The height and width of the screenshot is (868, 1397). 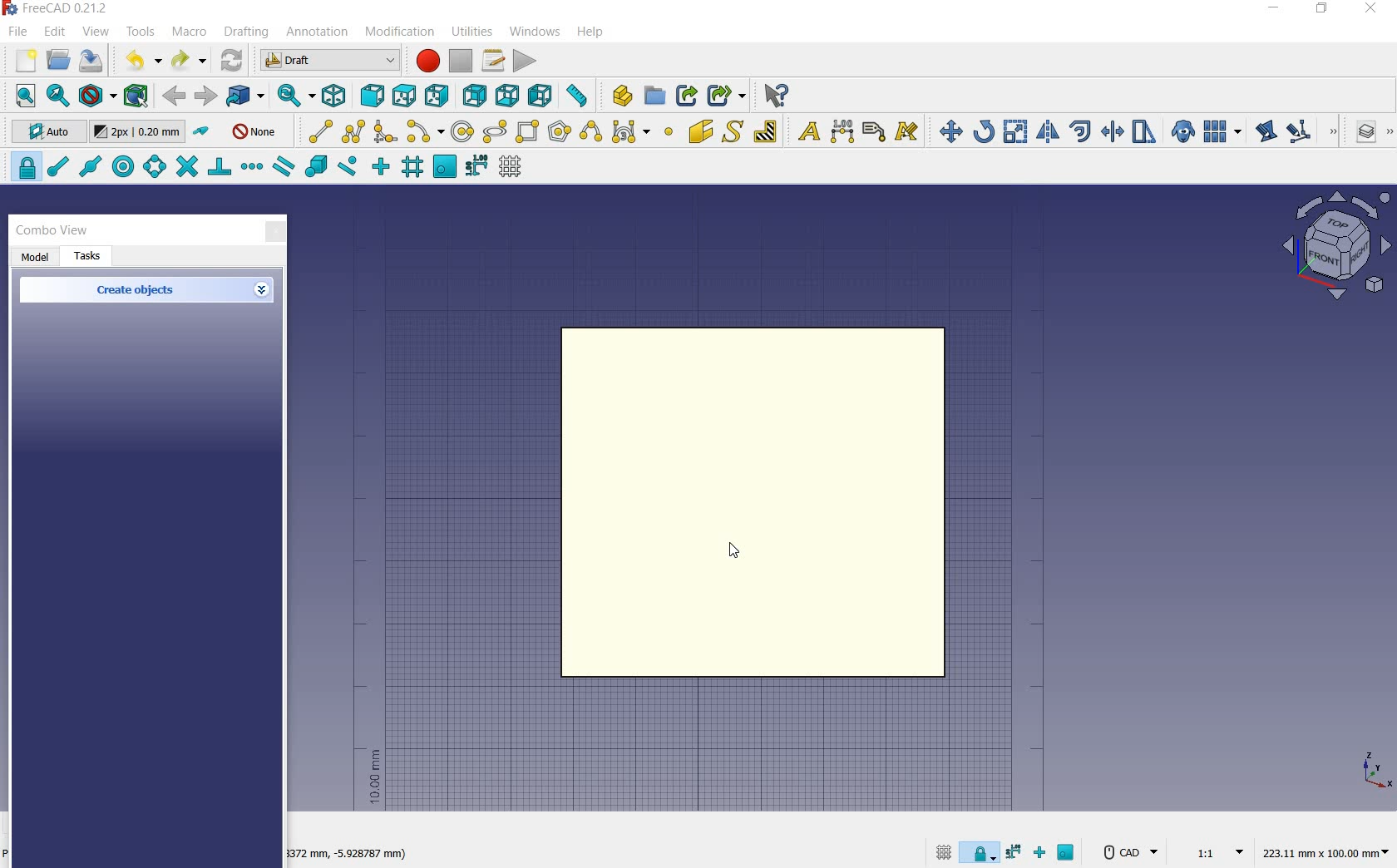 I want to click on macro, so click(x=190, y=33).